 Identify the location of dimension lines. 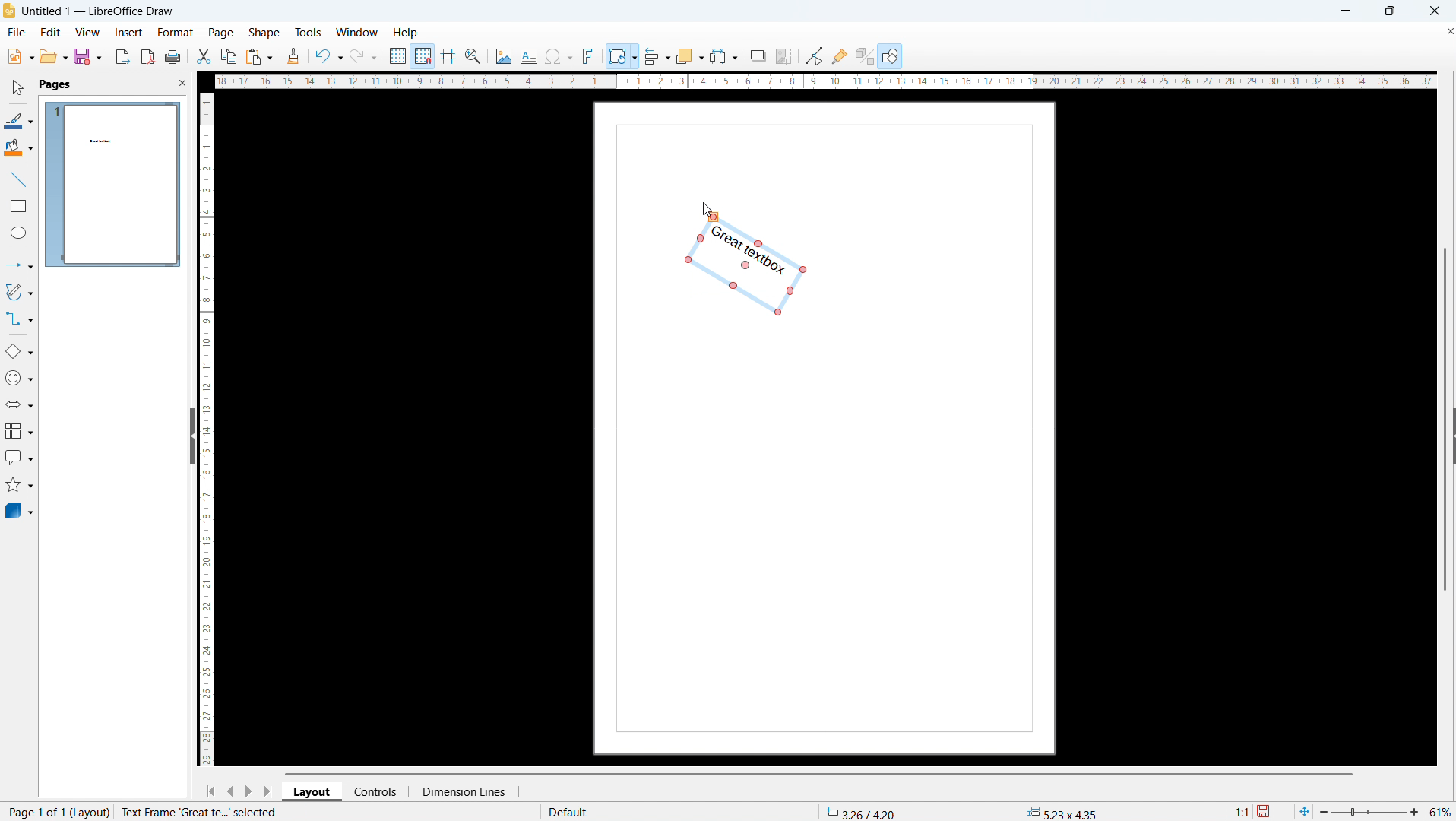
(462, 791).